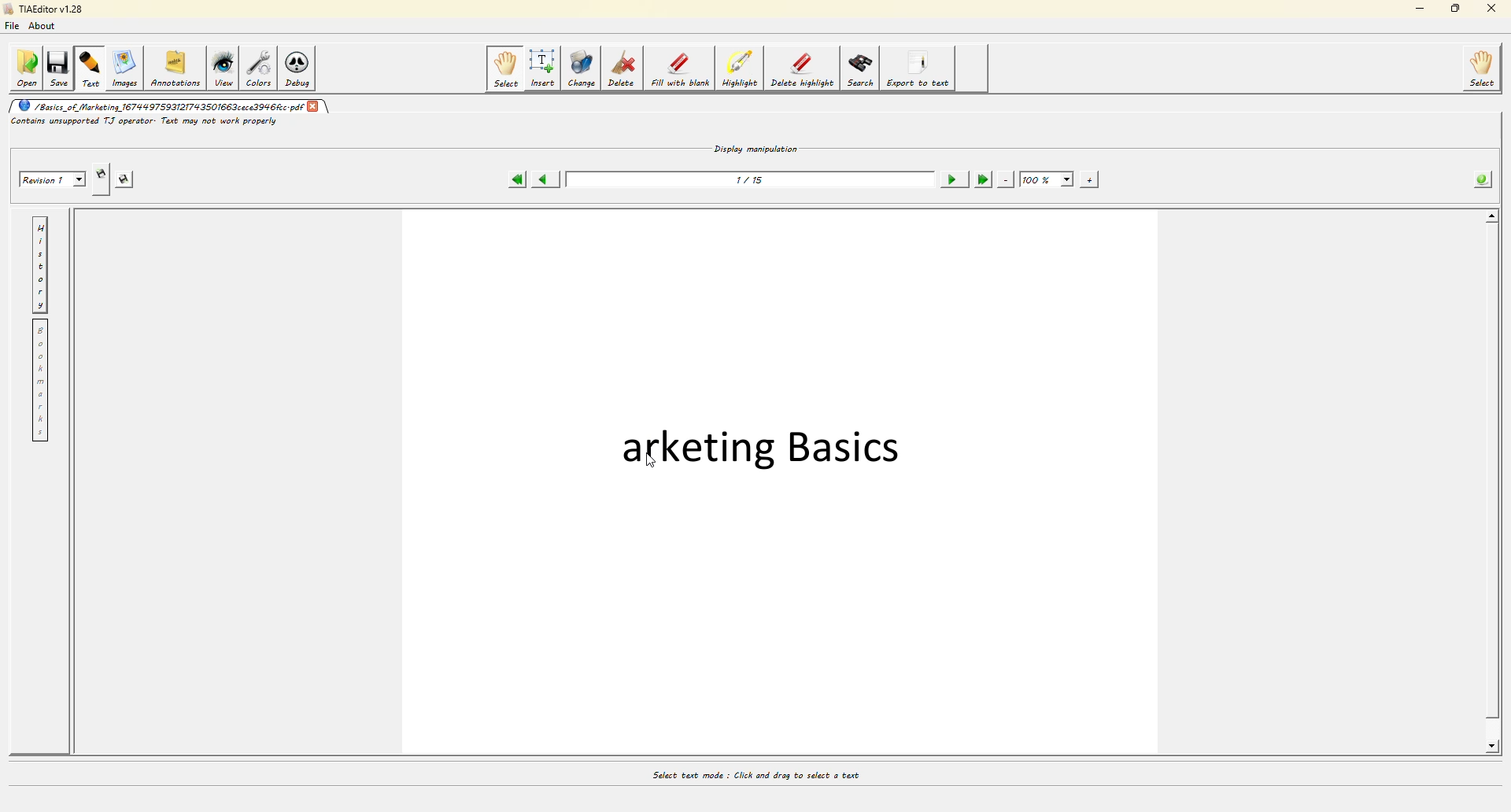  I want to click on zoom in, so click(1092, 178).